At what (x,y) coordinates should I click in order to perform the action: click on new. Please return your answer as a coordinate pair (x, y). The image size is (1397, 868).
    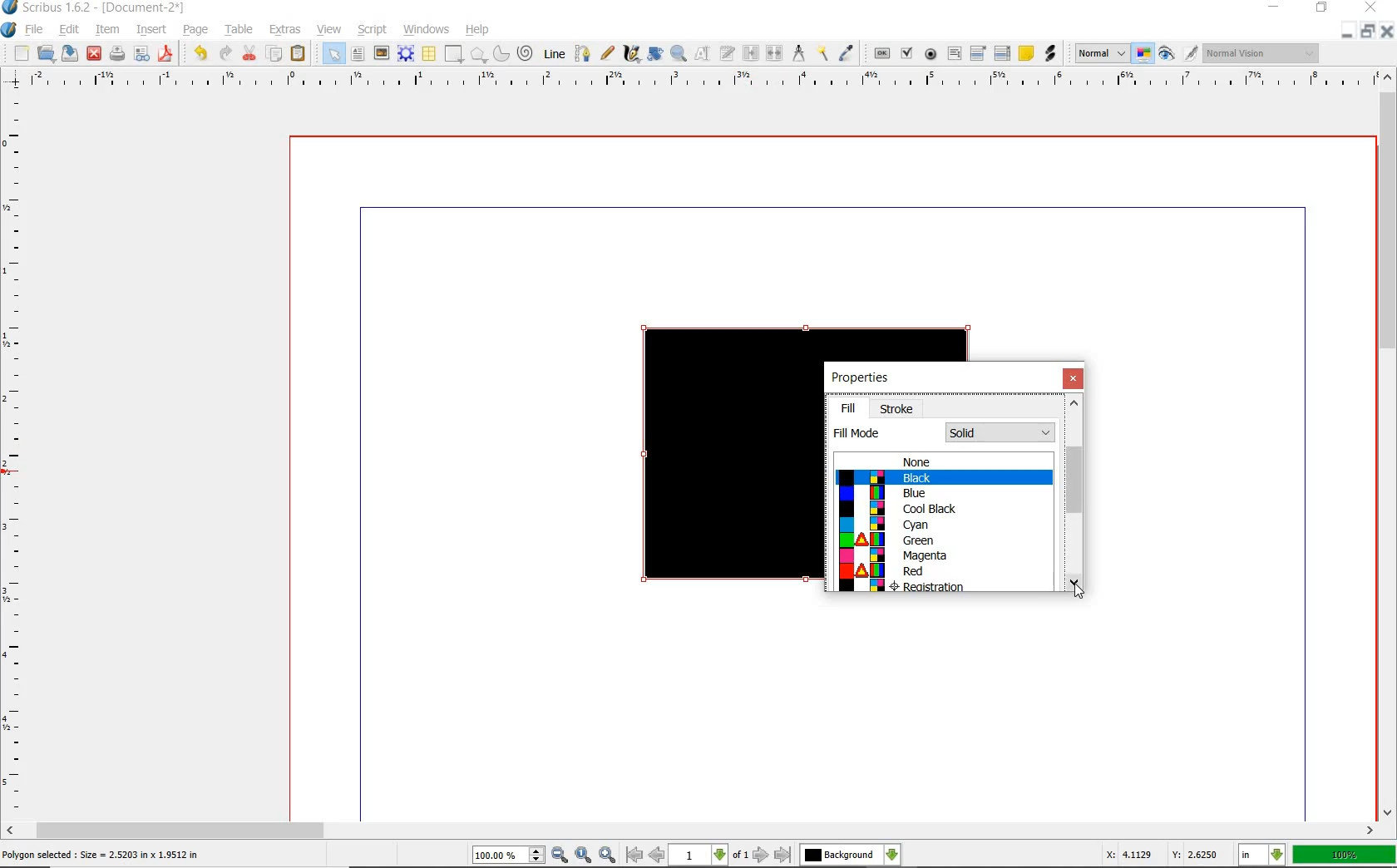
    Looking at the image, I should click on (22, 53).